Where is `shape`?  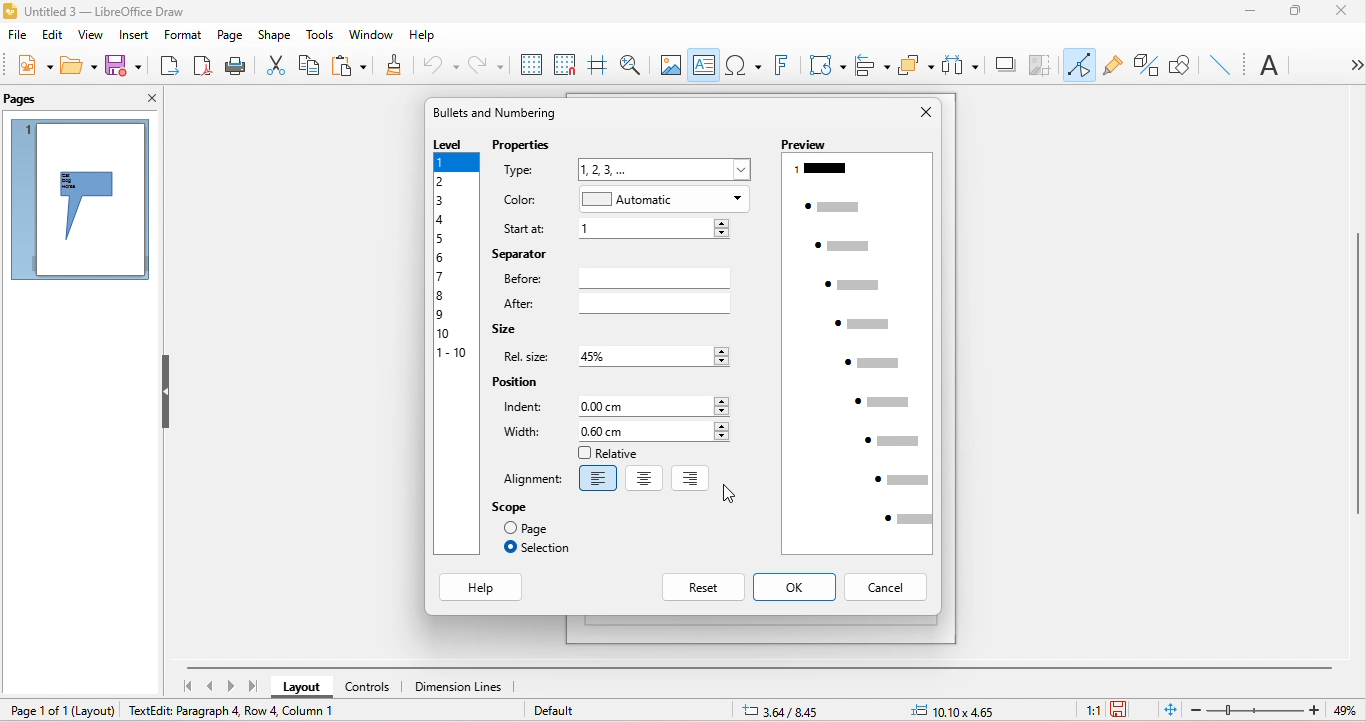
shape is located at coordinates (276, 35).